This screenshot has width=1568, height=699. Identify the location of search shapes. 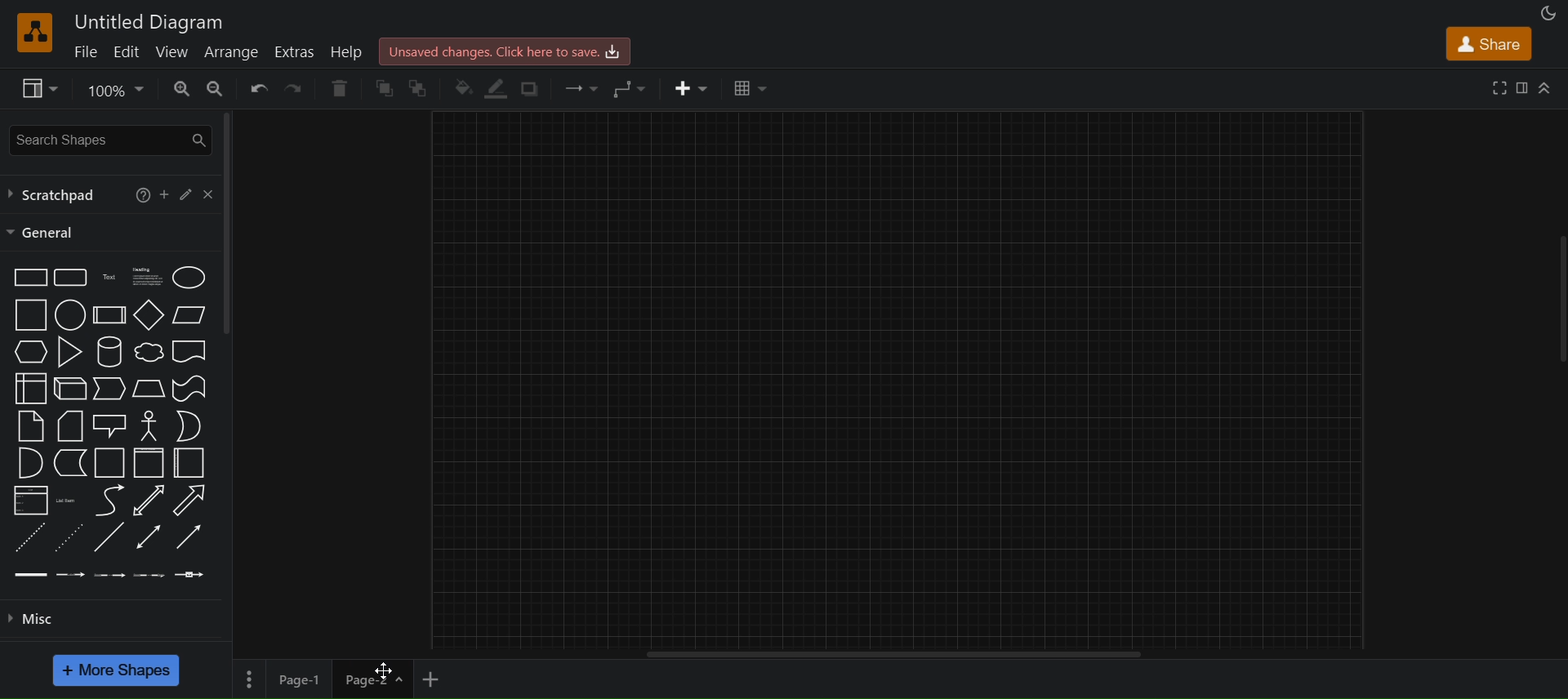
(108, 137).